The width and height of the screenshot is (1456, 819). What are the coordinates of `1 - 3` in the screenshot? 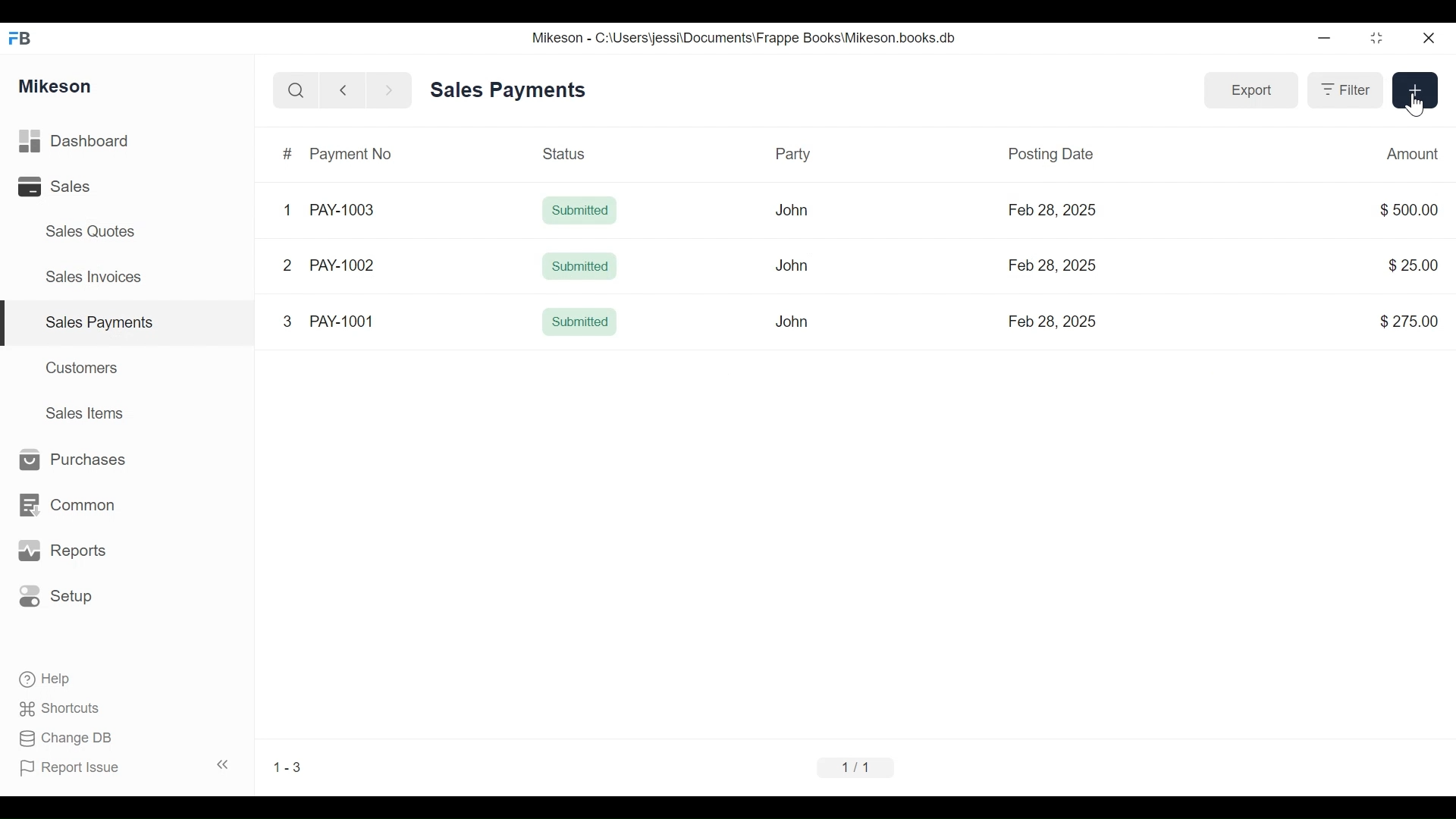 It's located at (293, 767).